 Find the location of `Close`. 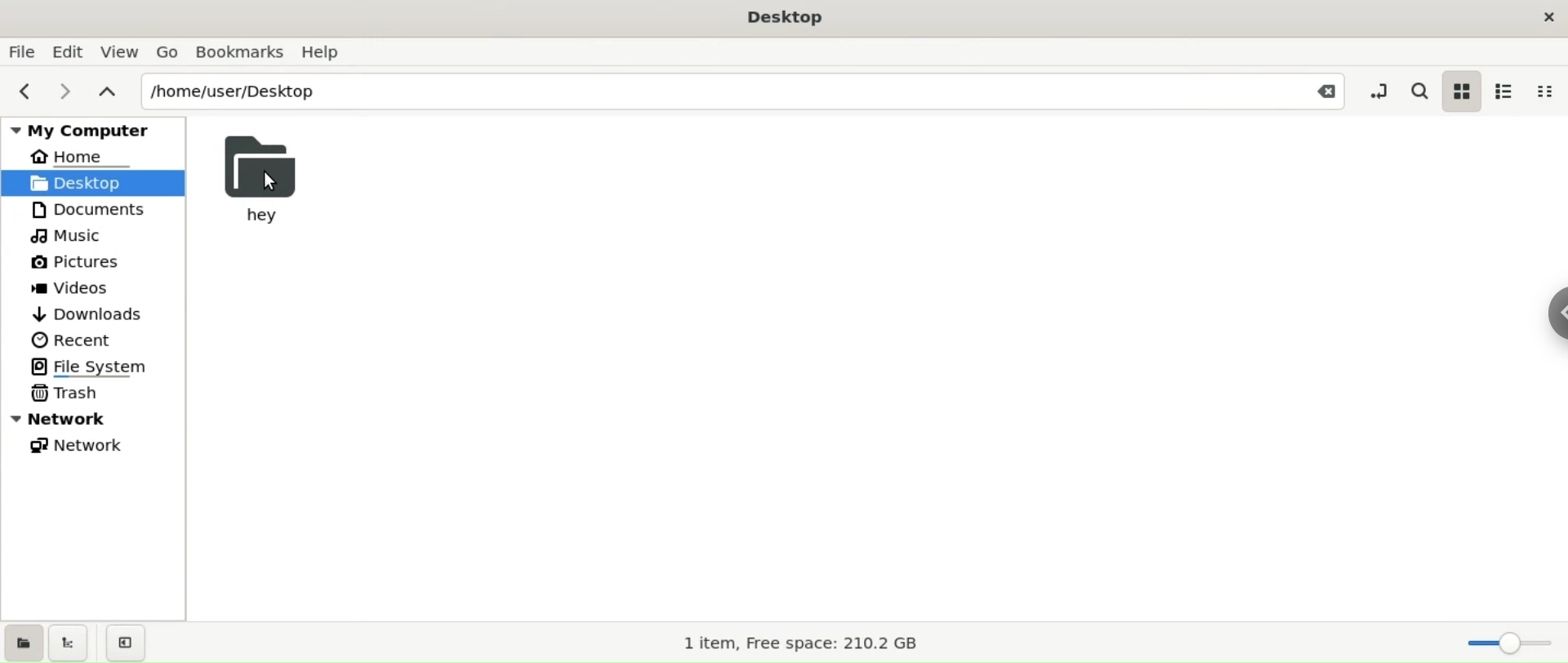

Close is located at coordinates (1321, 91).